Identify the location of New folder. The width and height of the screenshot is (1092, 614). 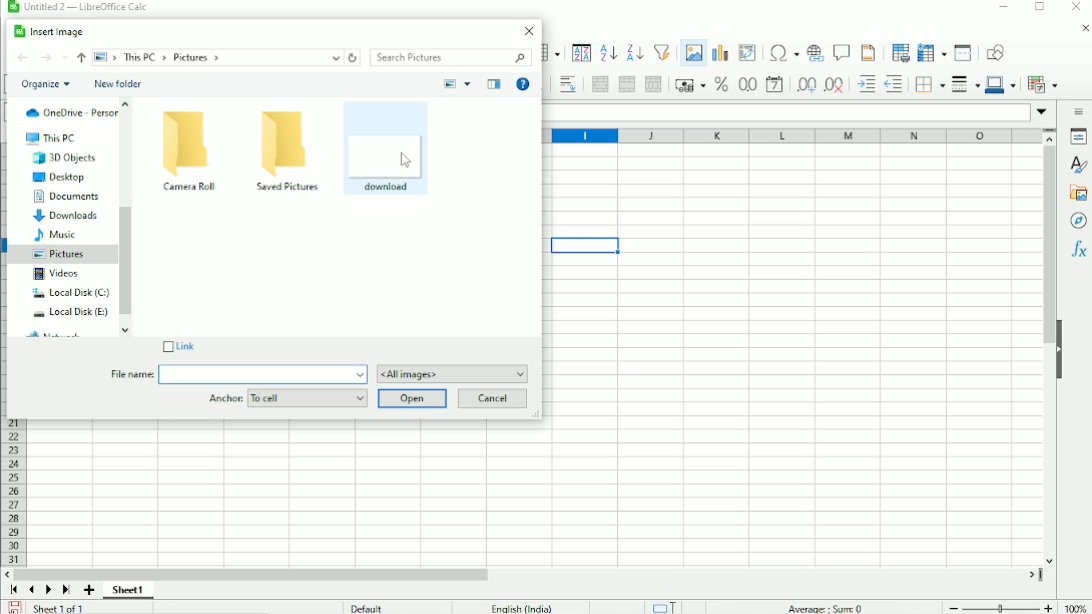
(119, 84).